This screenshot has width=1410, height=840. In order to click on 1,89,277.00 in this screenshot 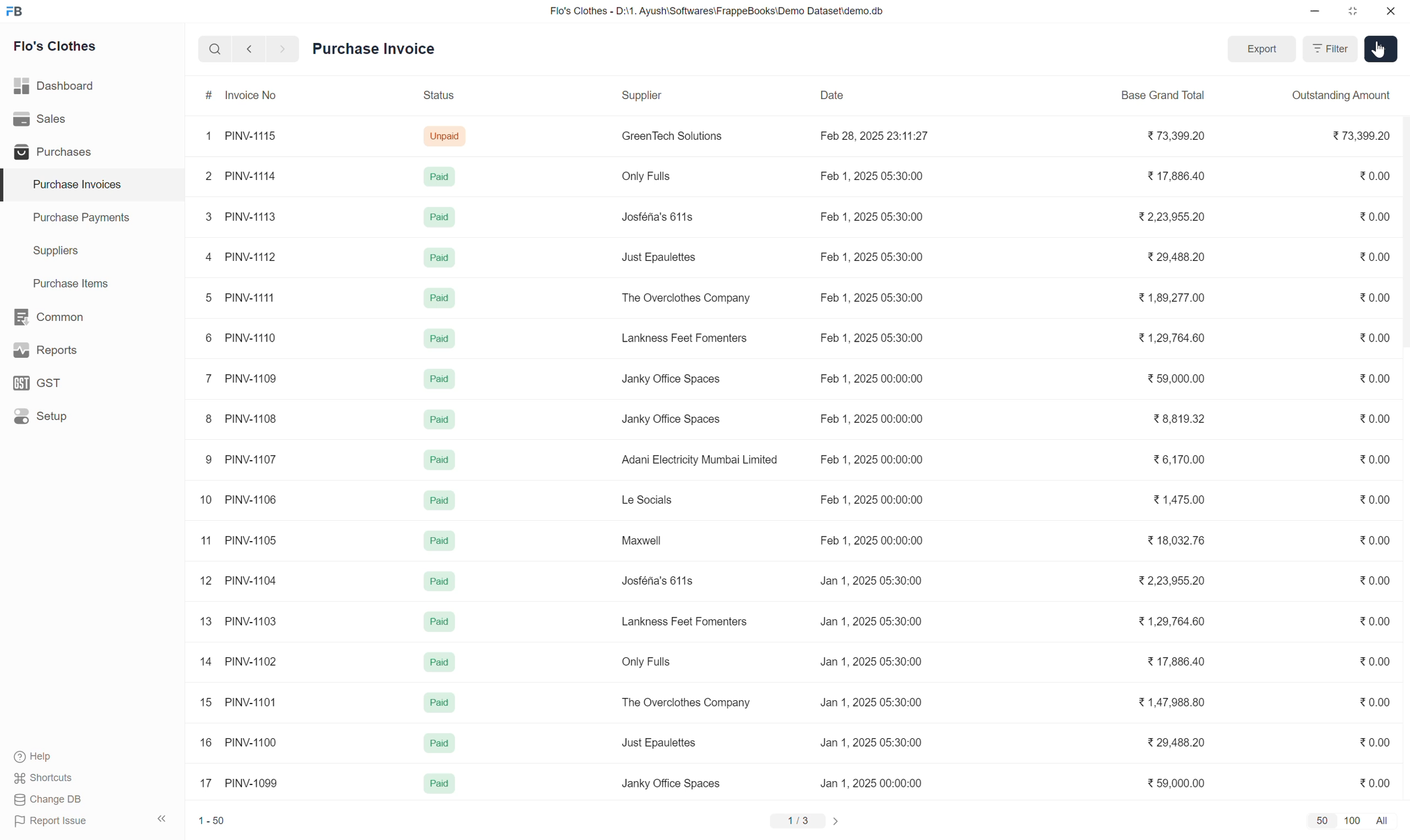, I will do `click(1165, 299)`.